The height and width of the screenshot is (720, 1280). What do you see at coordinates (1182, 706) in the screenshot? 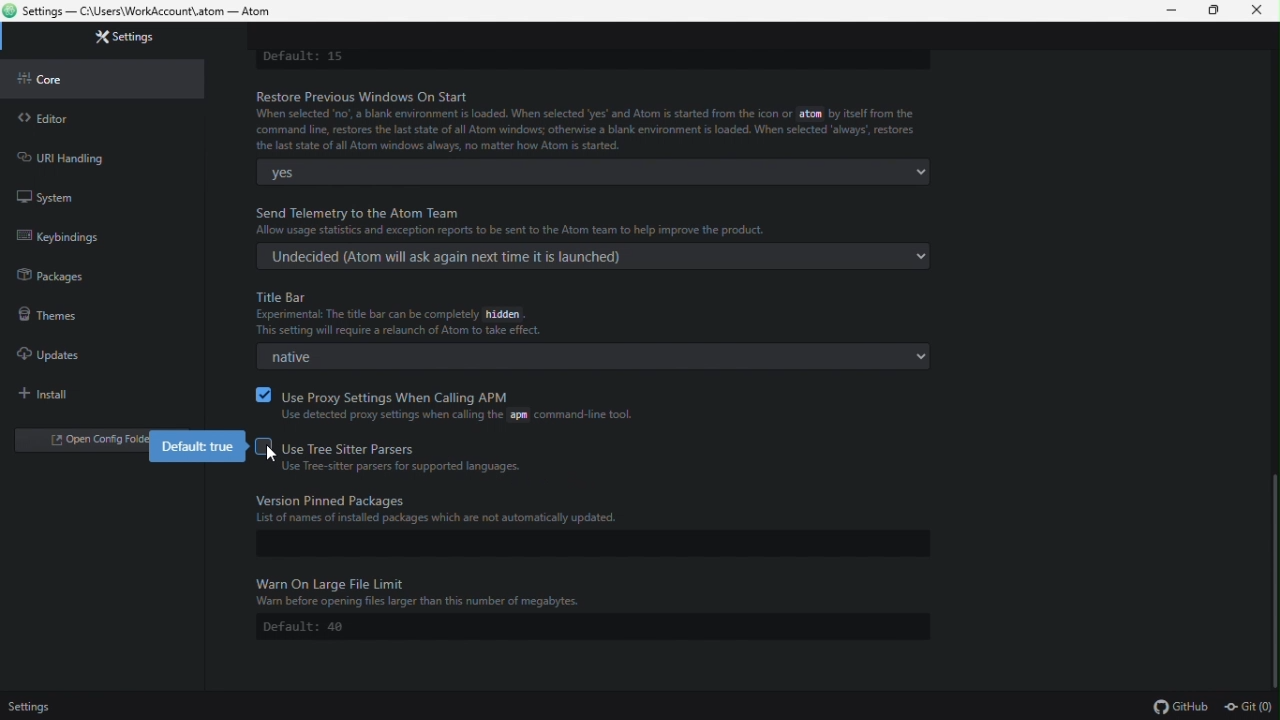
I see `GitHub` at bounding box center [1182, 706].